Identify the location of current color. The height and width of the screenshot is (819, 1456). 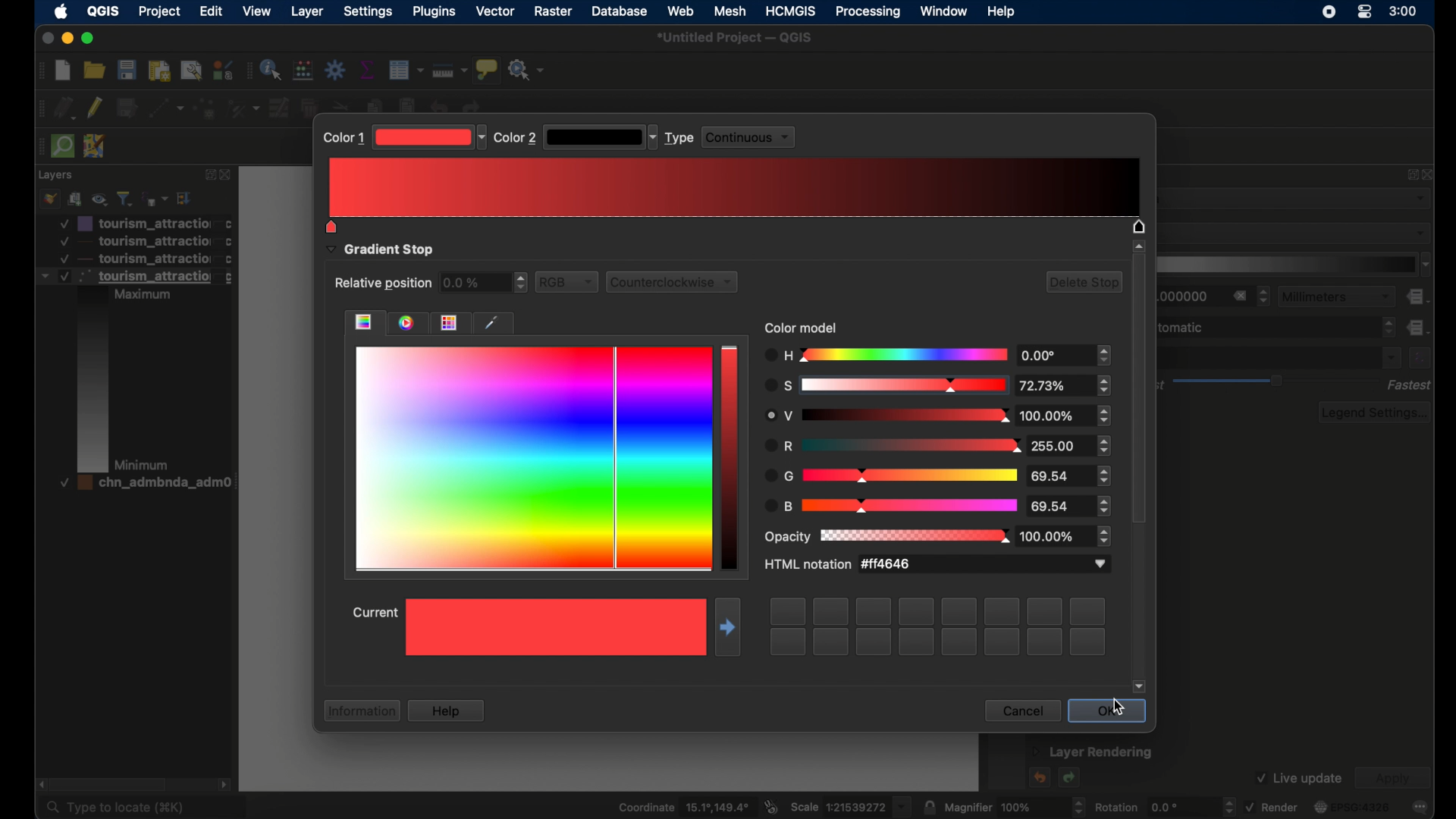
(732, 460).